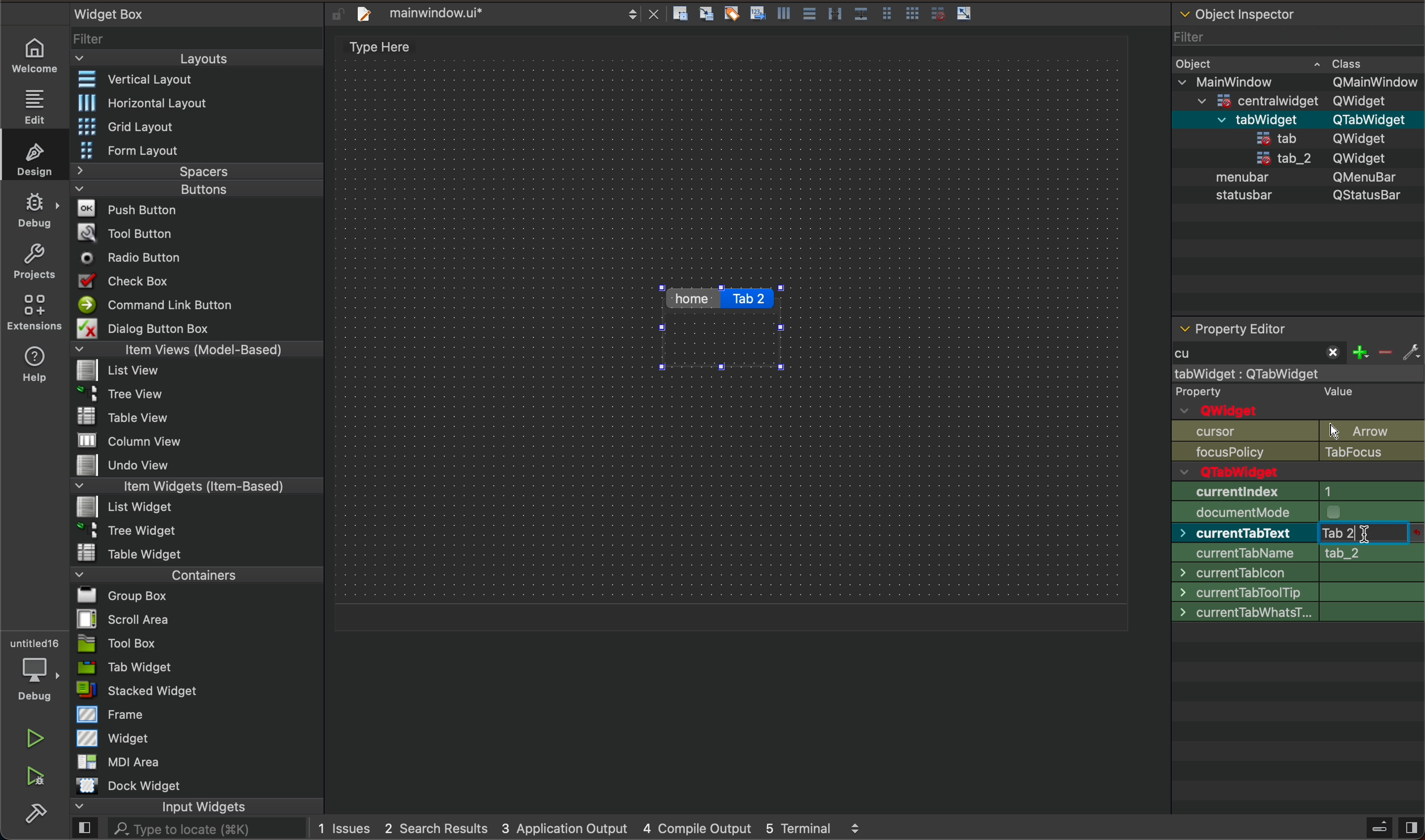 Image resolution: width=1425 pixels, height=840 pixels. Describe the element at coordinates (109, 413) in the screenshot. I see `Table View` at that location.